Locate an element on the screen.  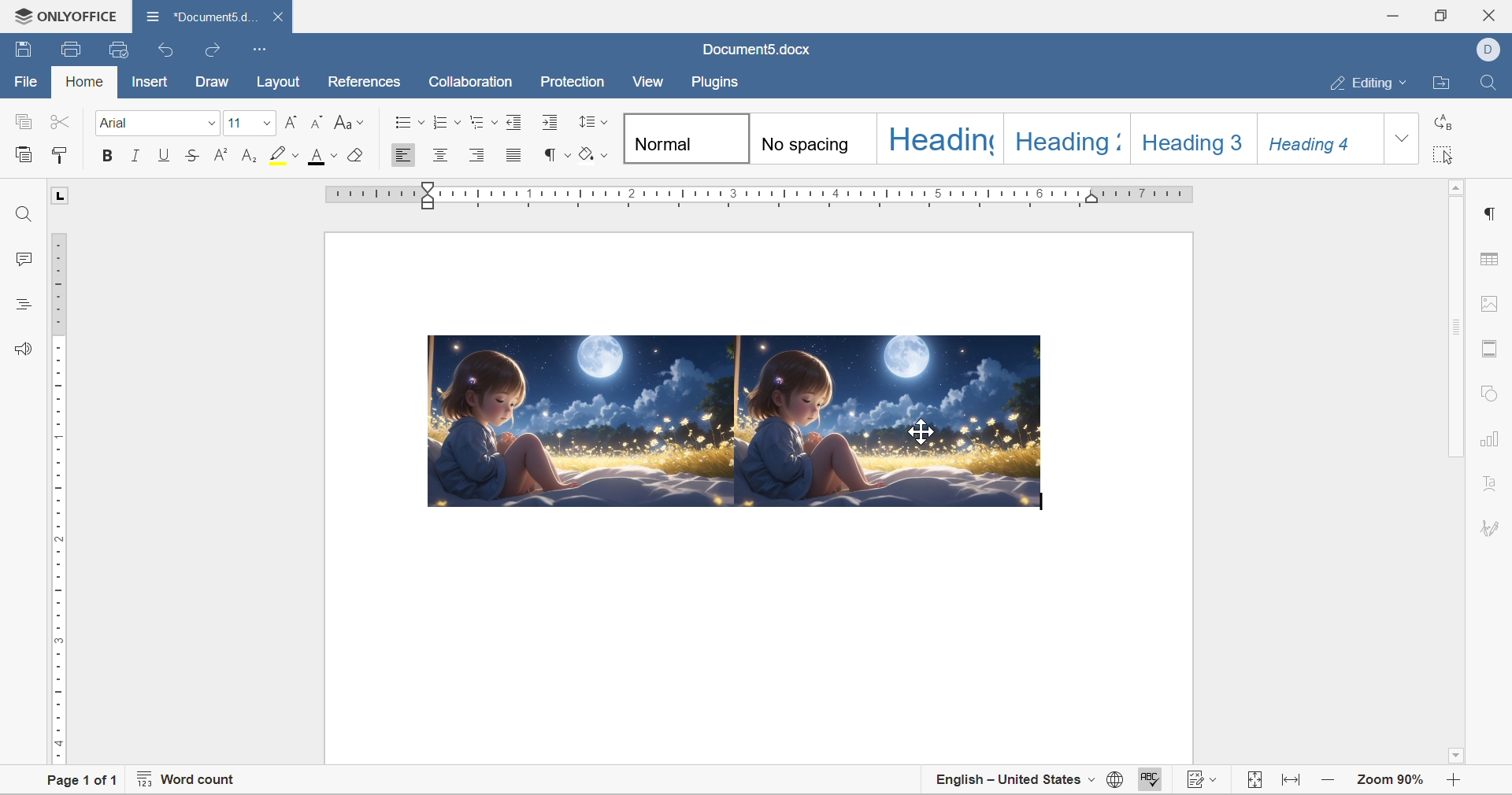
types of headings is located at coordinates (999, 139).